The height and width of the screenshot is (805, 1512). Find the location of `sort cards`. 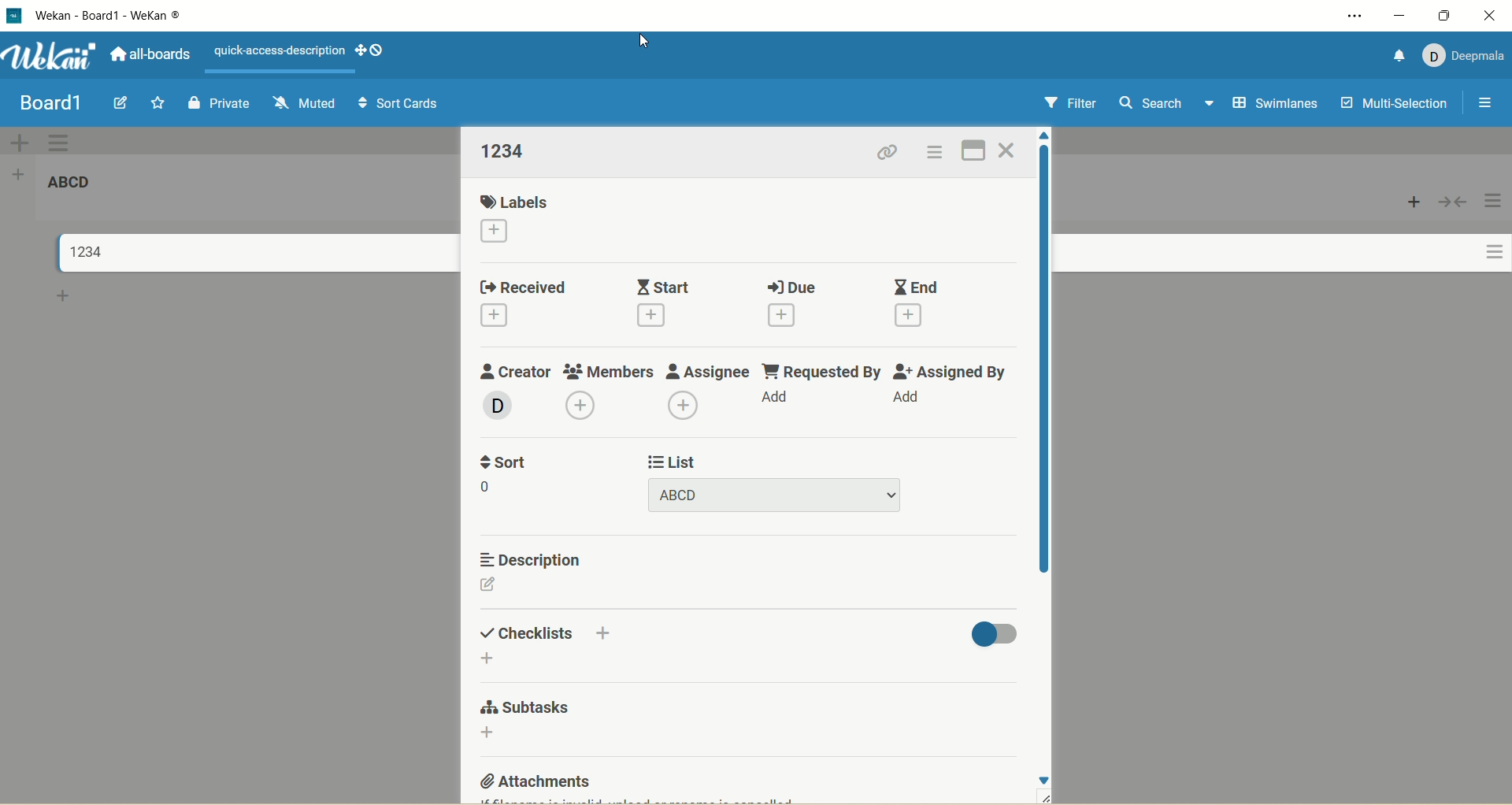

sort cards is located at coordinates (396, 104).